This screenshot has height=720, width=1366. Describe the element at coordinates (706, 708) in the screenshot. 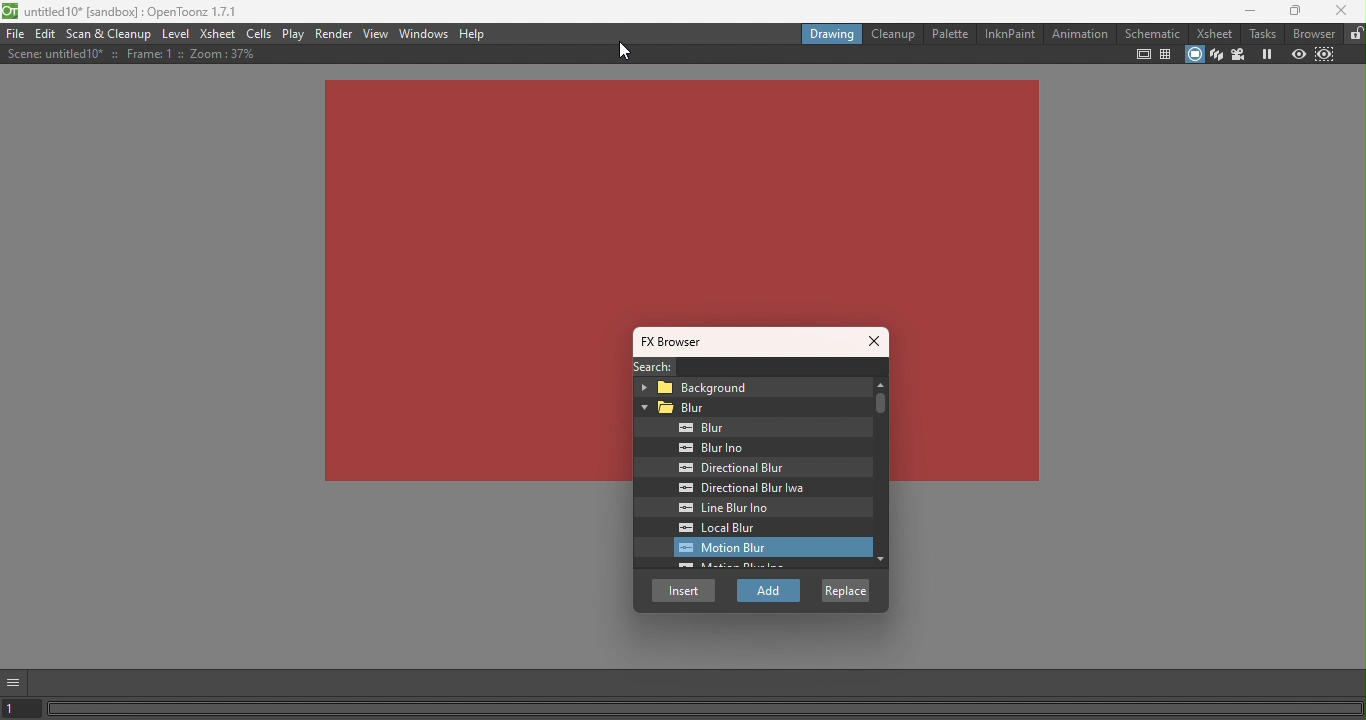

I see `Horizontal scroll bar` at that location.